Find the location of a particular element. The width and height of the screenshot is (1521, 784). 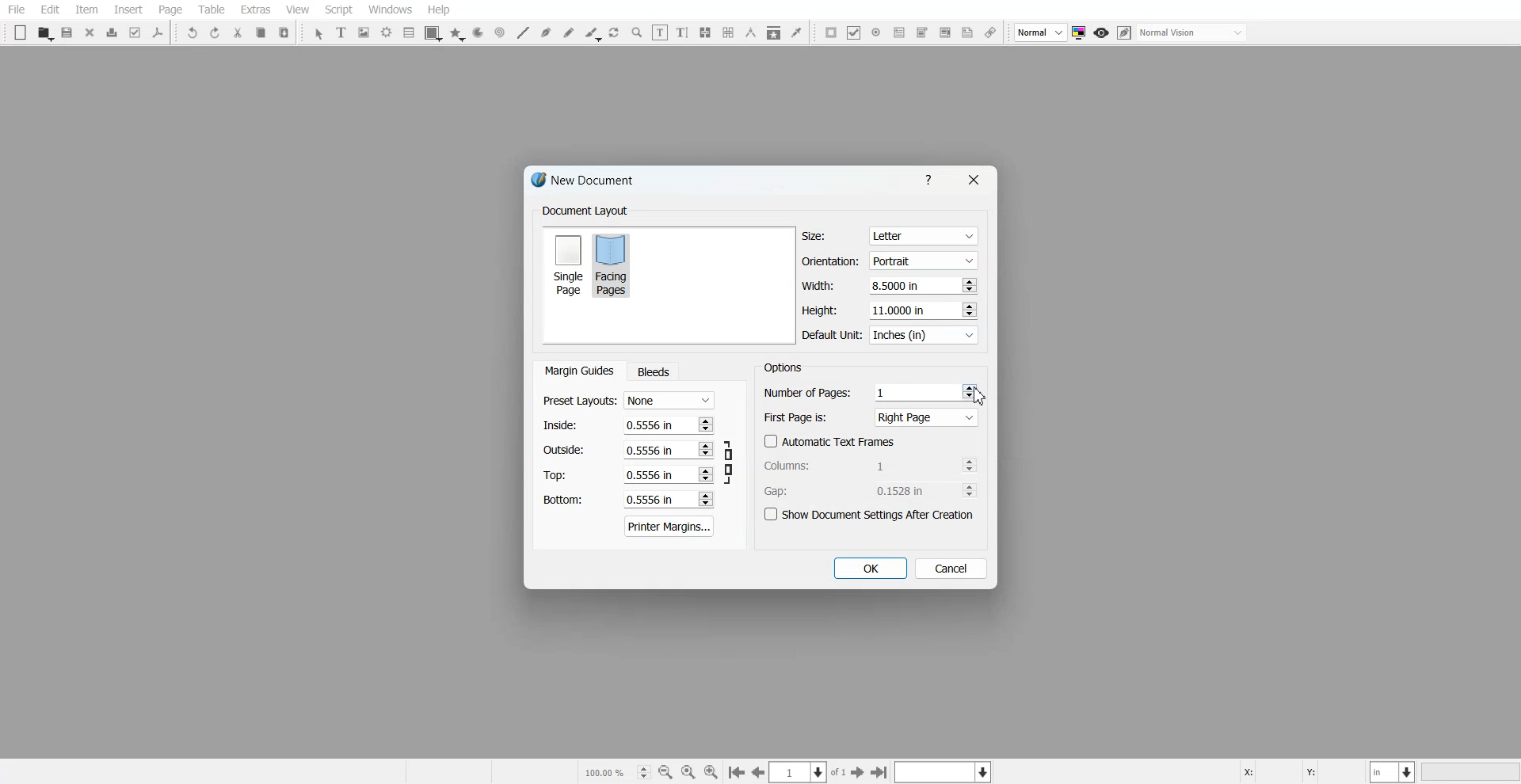

Select current zoom is located at coordinates (616, 771).